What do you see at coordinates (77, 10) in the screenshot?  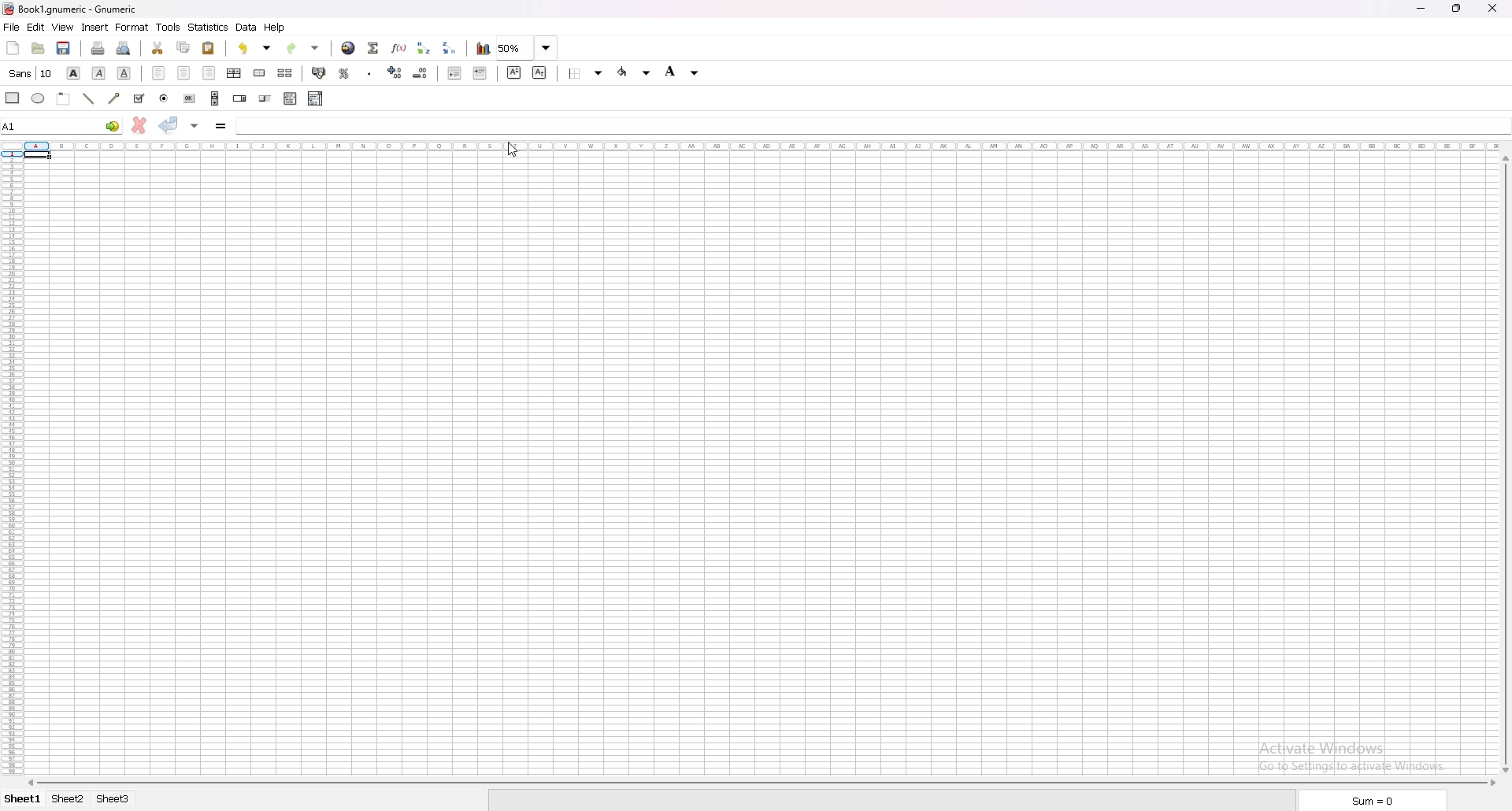 I see `} Book1.gnumeric - Gnumeric` at bounding box center [77, 10].